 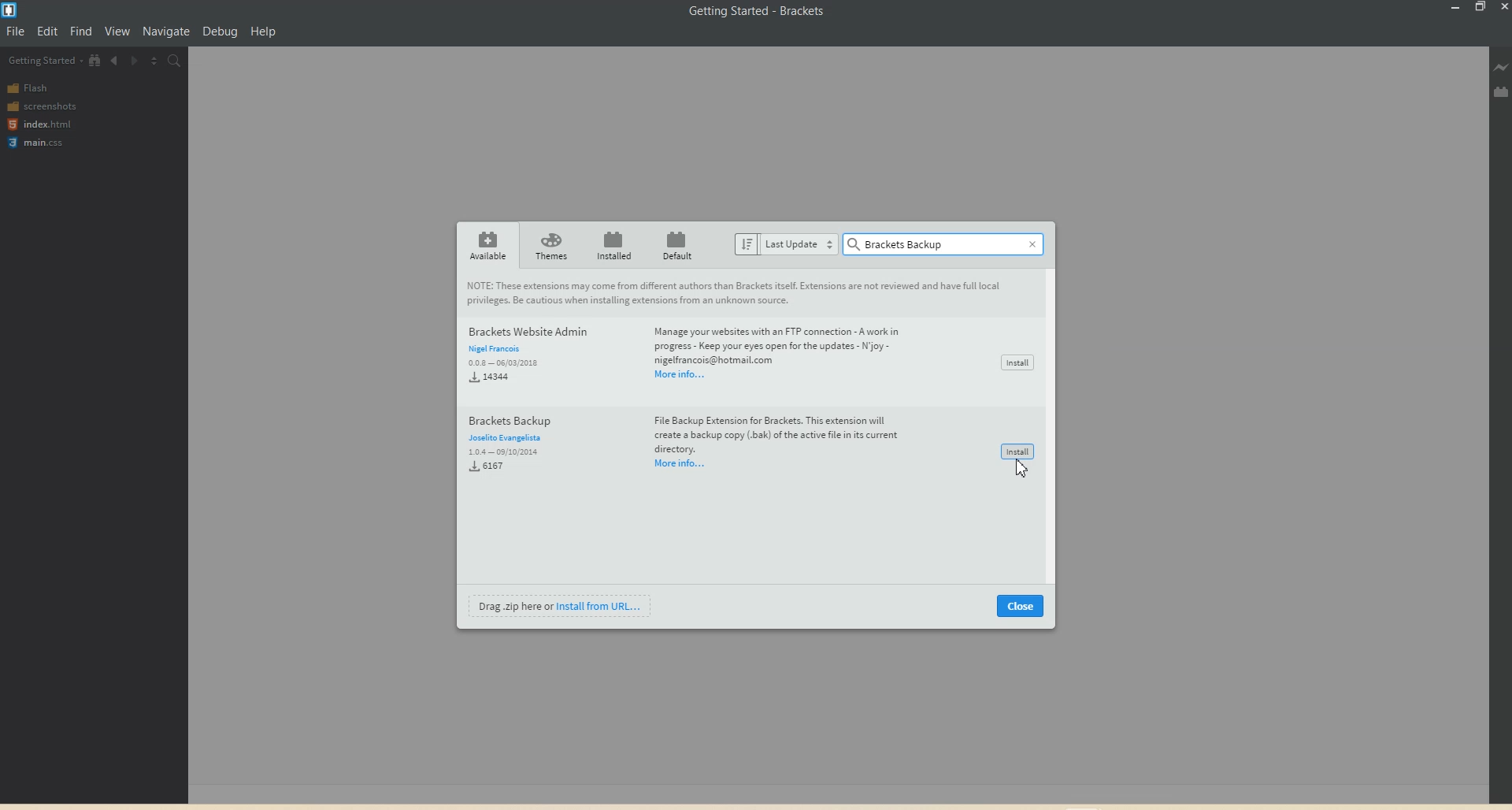 What do you see at coordinates (613, 245) in the screenshot?
I see `Installed` at bounding box center [613, 245].